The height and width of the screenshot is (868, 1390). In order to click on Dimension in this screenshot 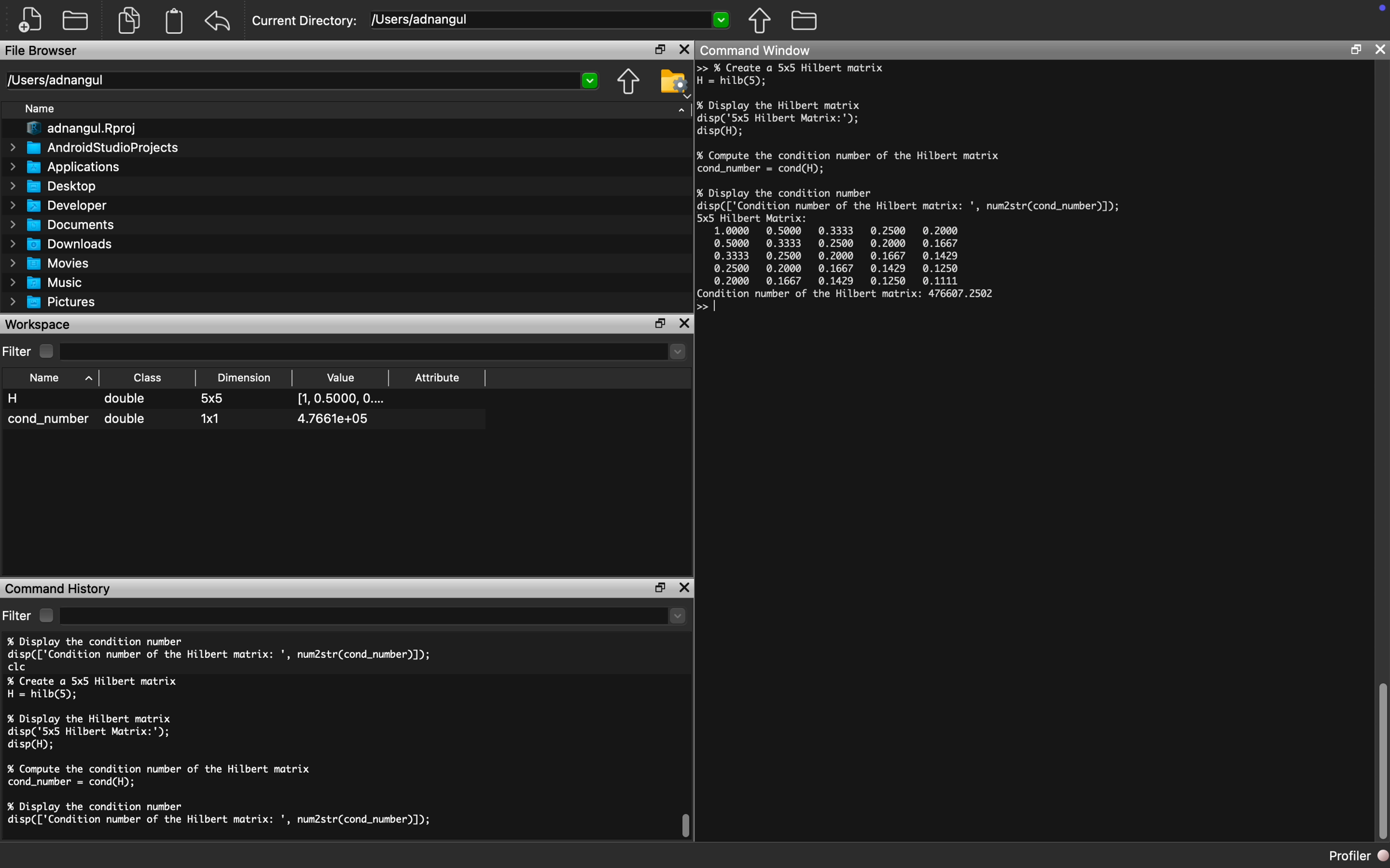, I will do `click(248, 378)`.